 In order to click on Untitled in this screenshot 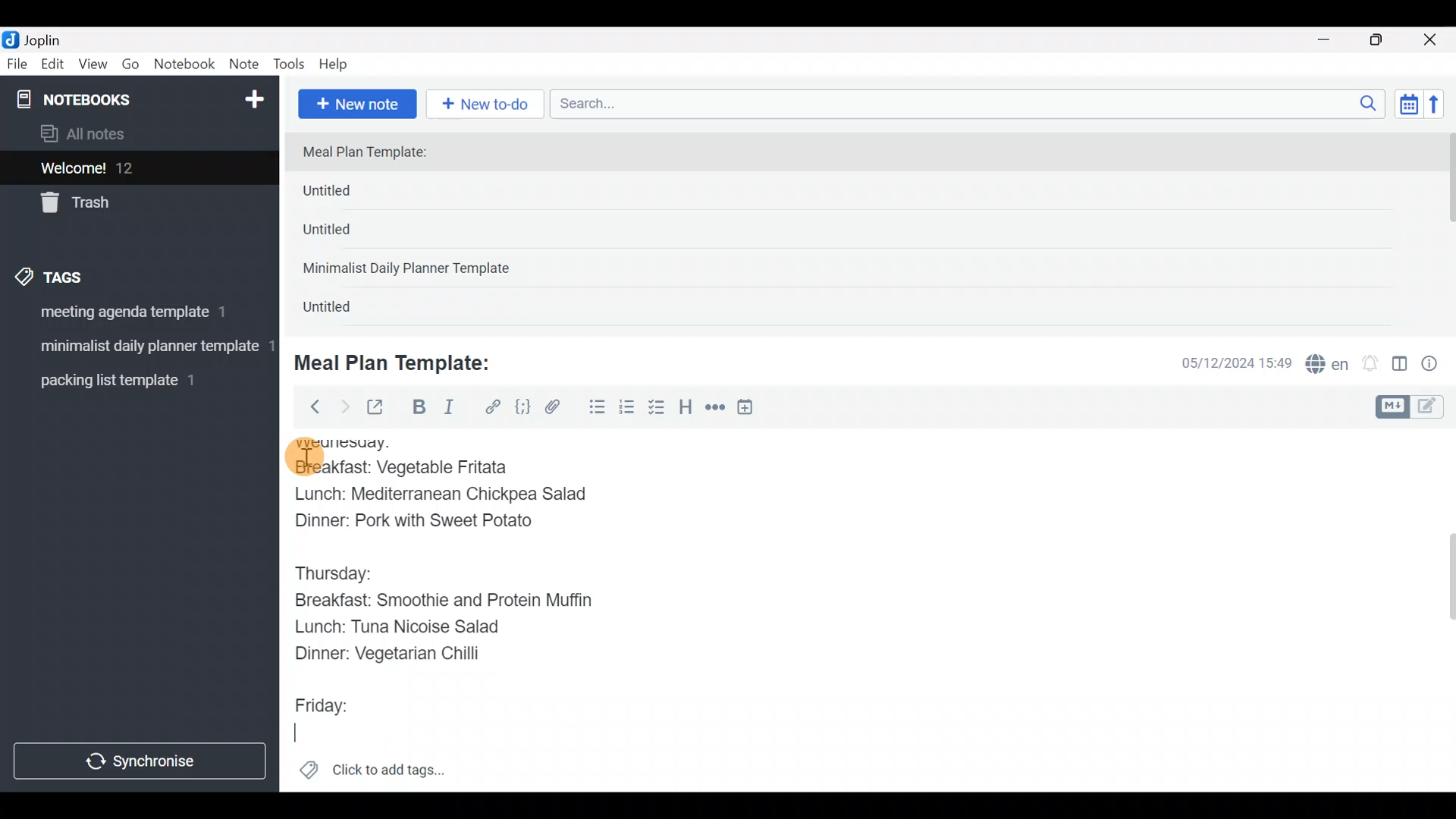, I will do `click(352, 194)`.